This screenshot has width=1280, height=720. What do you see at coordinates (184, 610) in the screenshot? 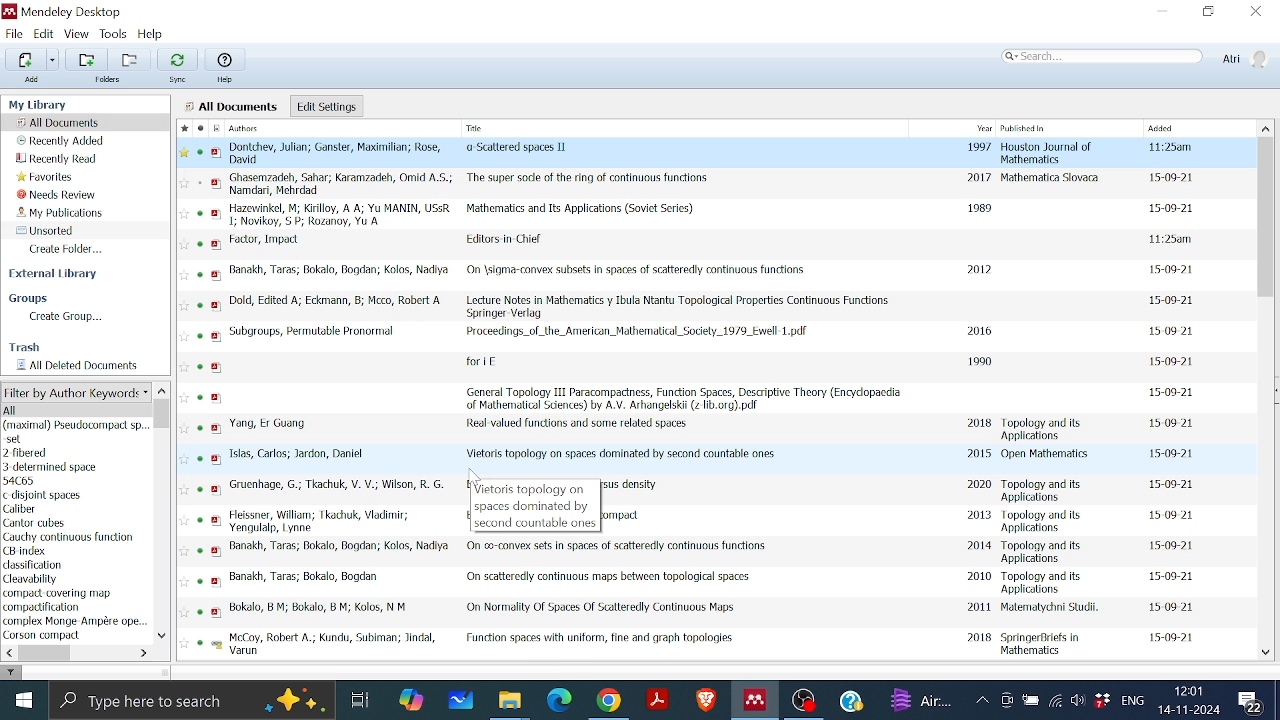
I see `Favourite` at bounding box center [184, 610].